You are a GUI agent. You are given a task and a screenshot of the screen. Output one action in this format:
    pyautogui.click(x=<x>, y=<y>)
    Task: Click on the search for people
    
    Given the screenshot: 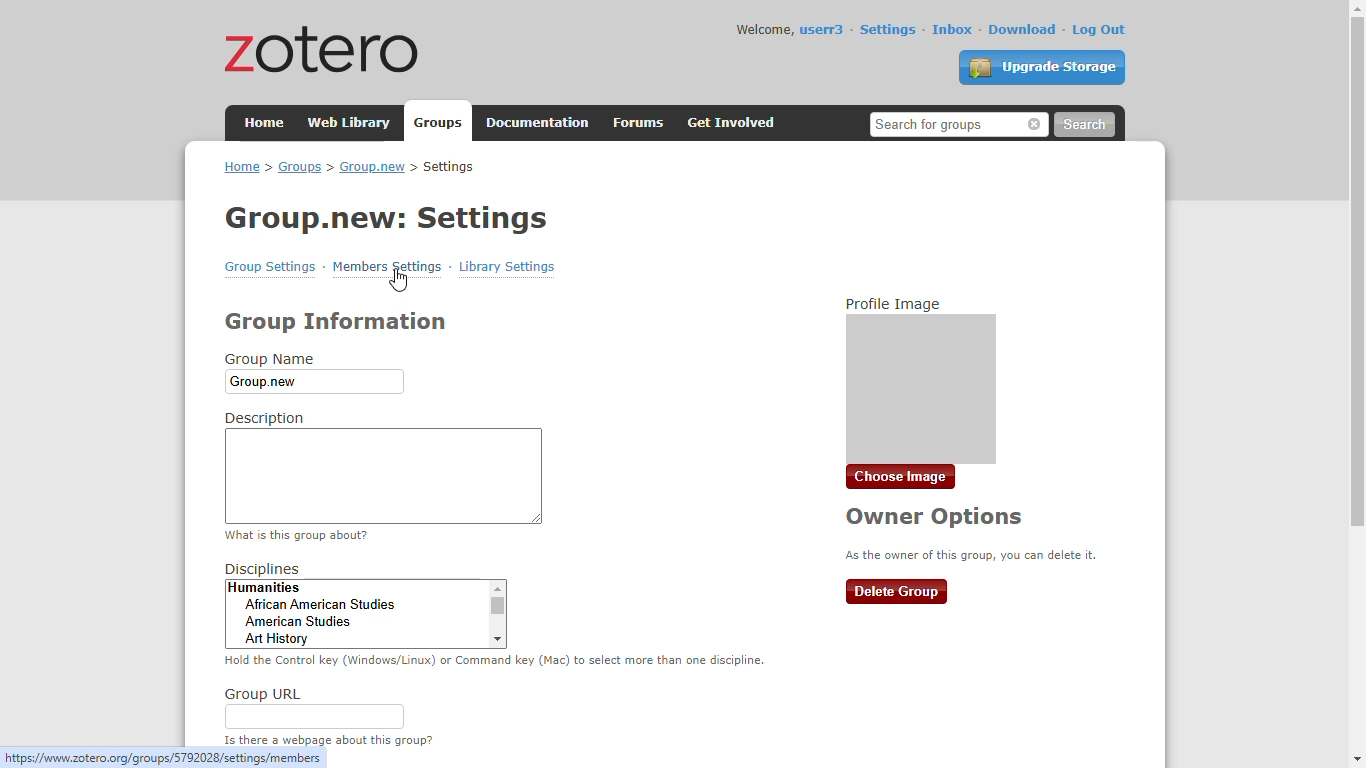 What is the action you would take?
    pyautogui.click(x=960, y=124)
    